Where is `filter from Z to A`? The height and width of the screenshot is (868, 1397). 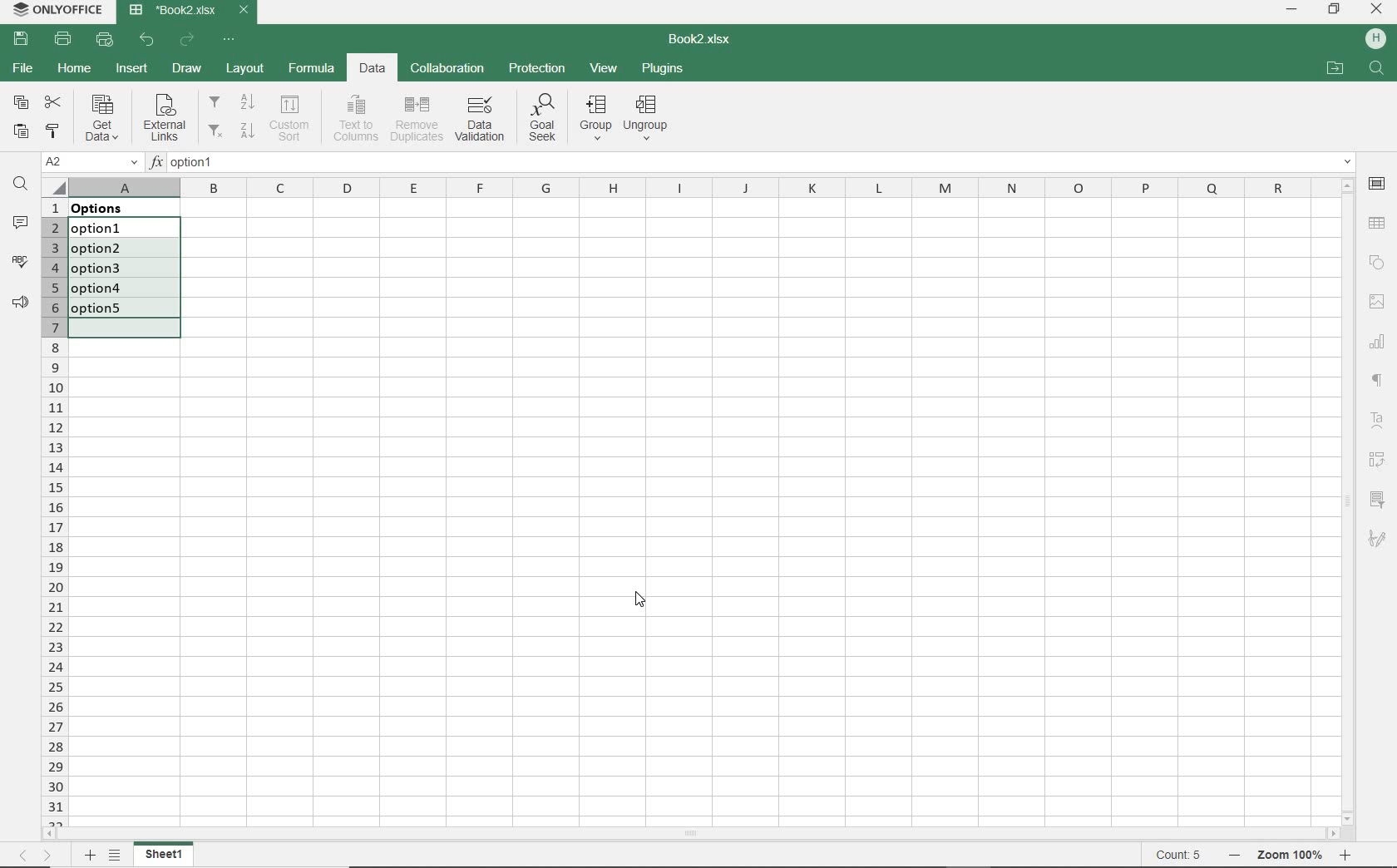
filter from Z to A is located at coordinates (232, 129).